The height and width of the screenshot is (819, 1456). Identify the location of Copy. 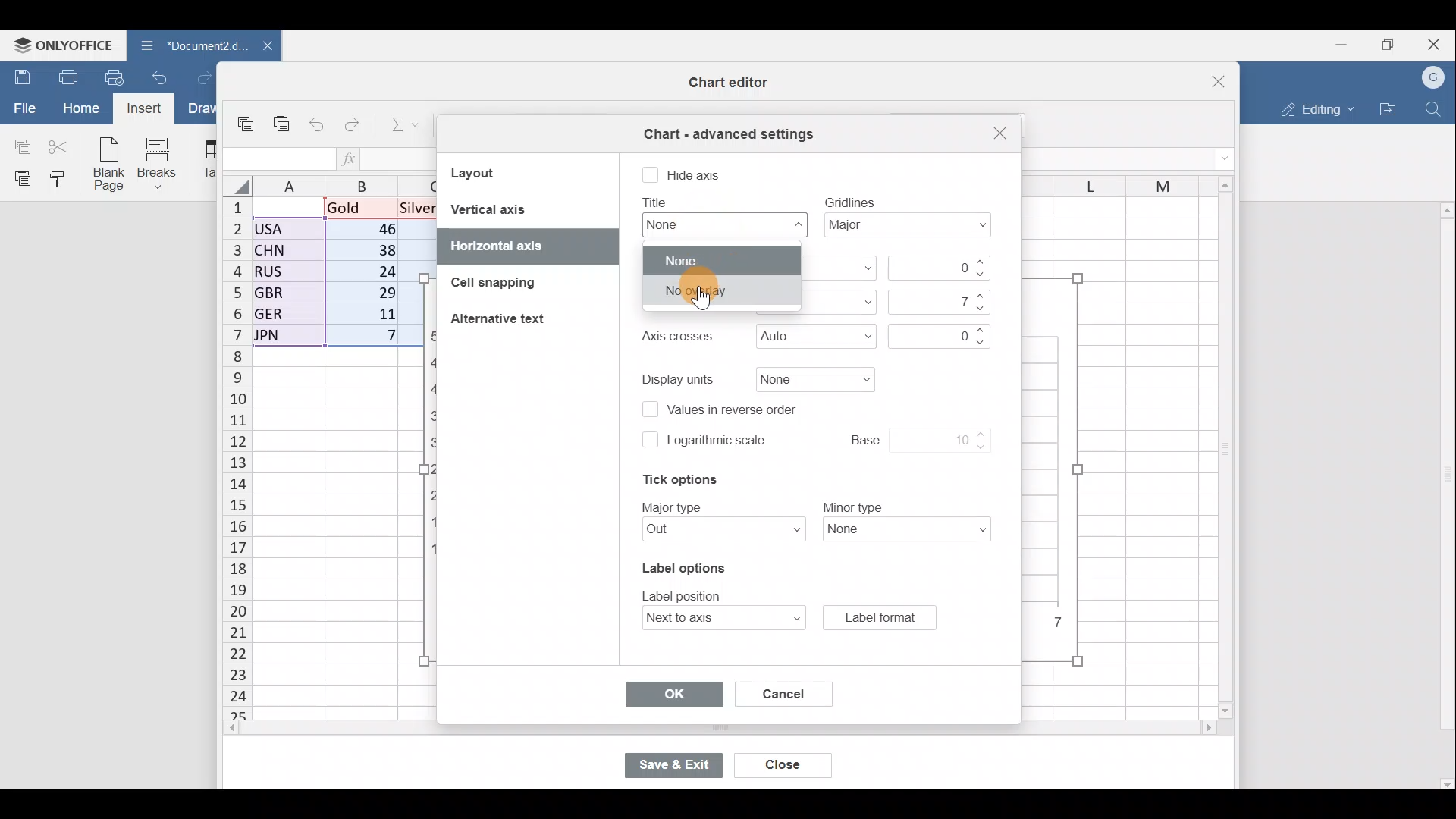
(19, 145).